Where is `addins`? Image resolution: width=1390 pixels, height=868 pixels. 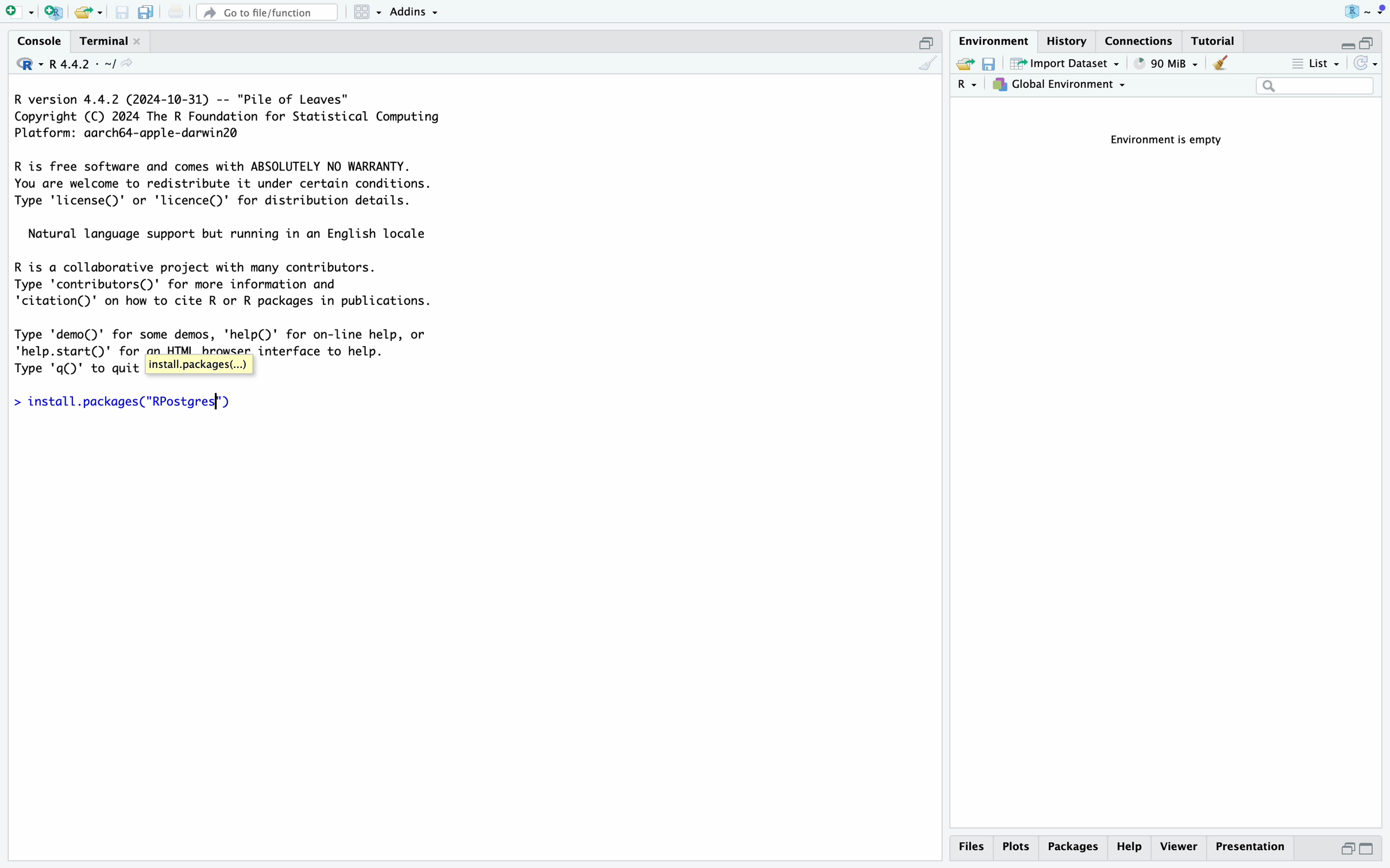 addins is located at coordinates (415, 11).